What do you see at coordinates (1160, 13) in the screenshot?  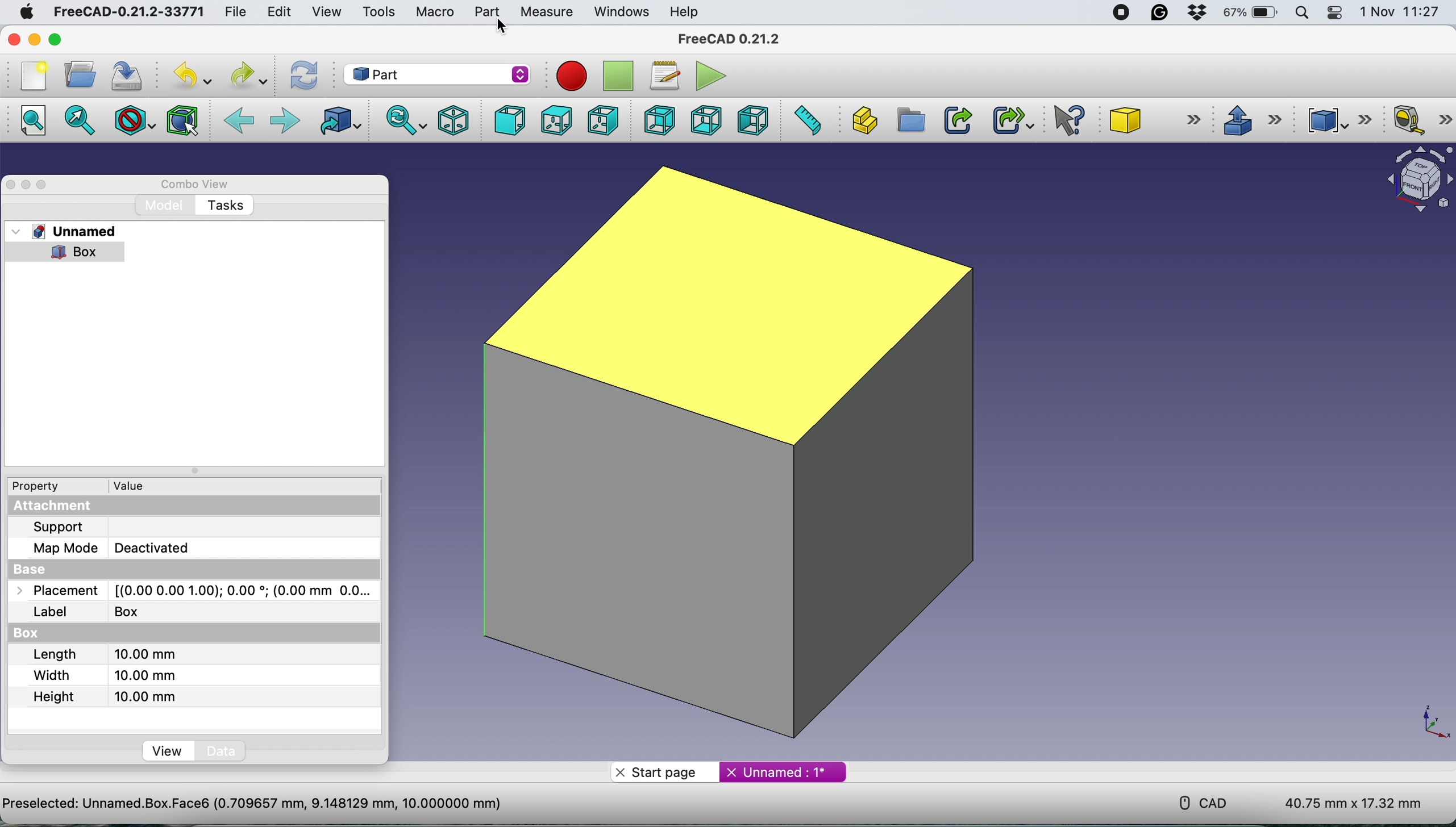 I see `grammarly` at bounding box center [1160, 13].